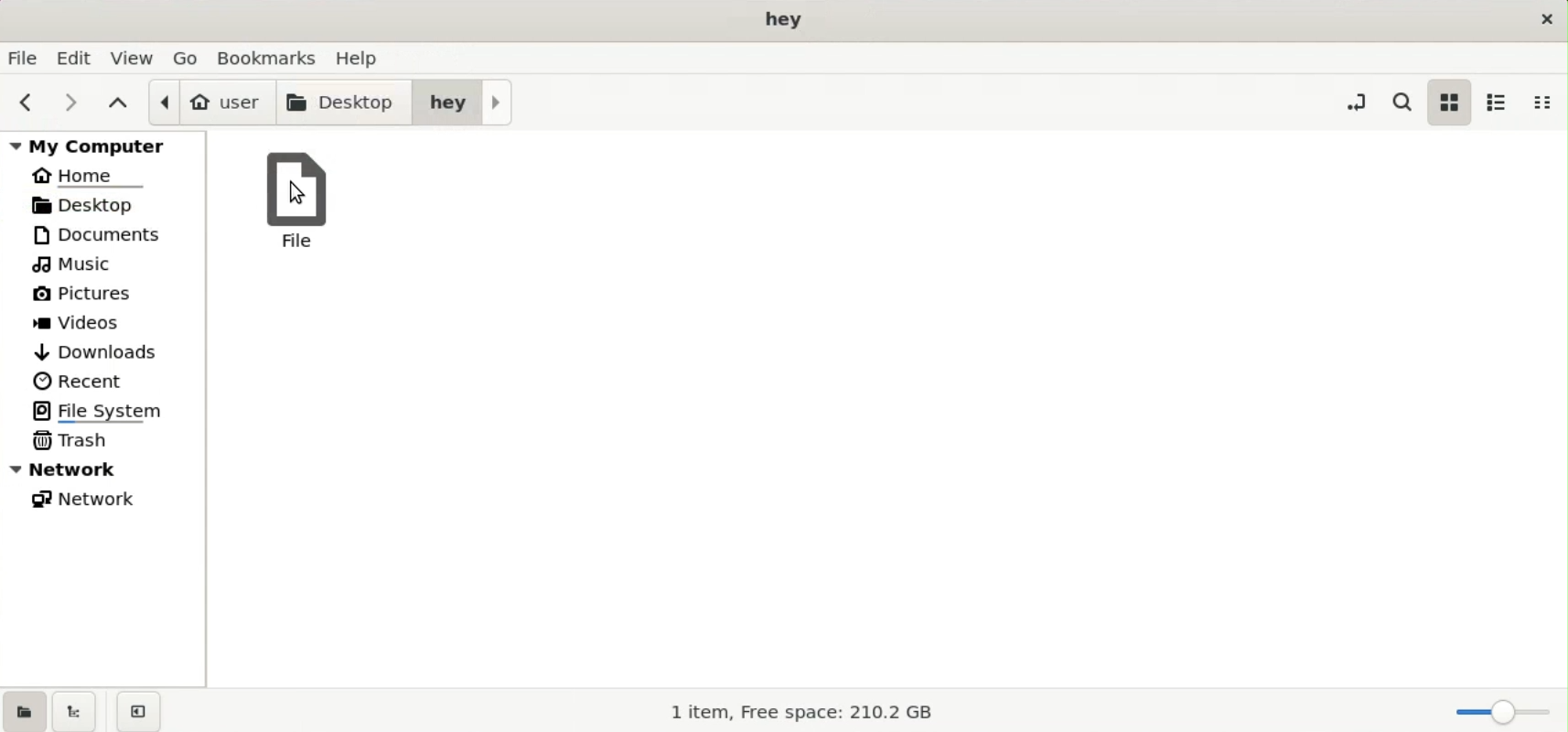 This screenshot has height=732, width=1568. I want to click on edit, so click(77, 58).